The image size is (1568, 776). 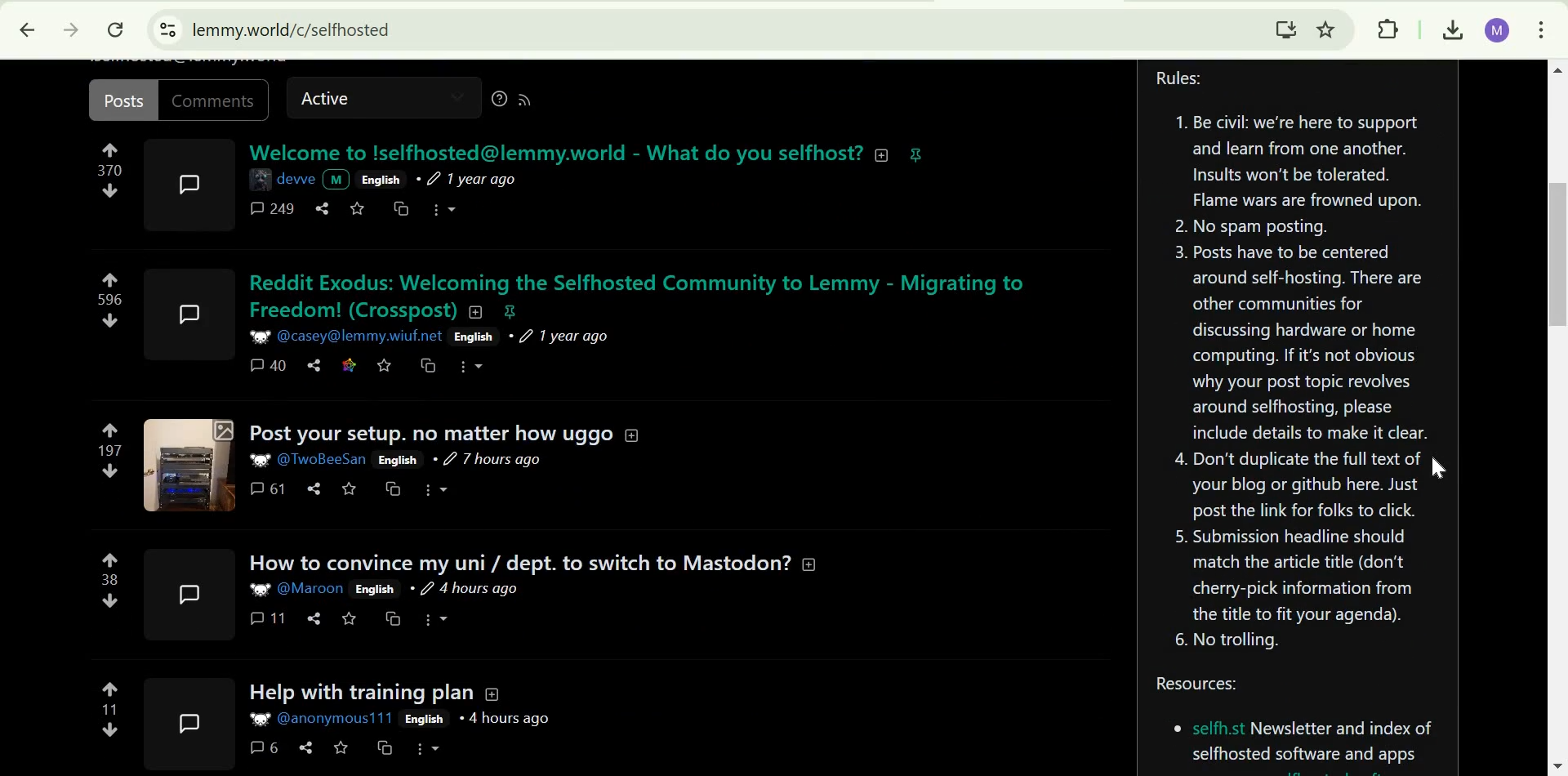 I want to click on expand here, so click(x=193, y=308).